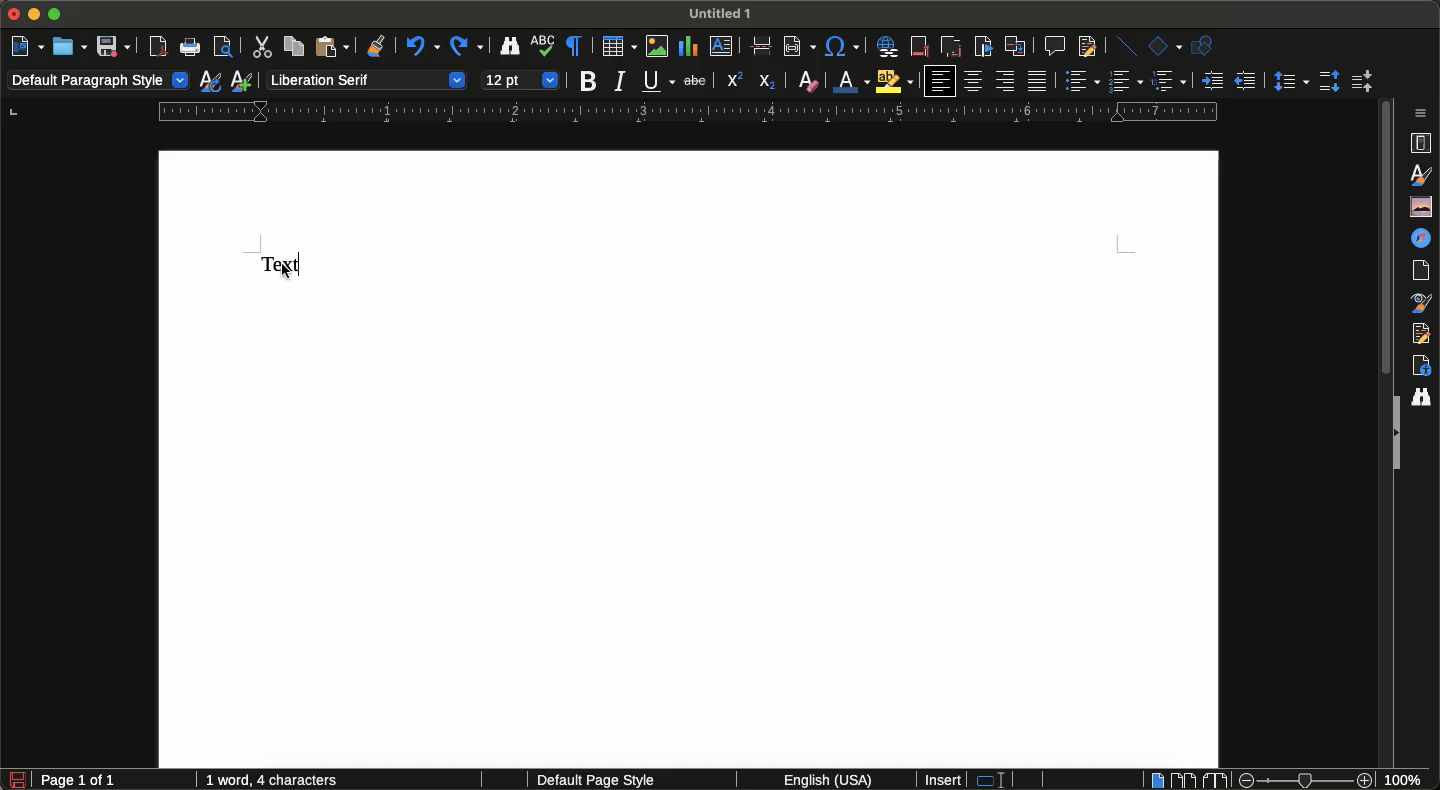 The height and width of the screenshot is (790, 1440). I want to click on Italics, so click(620, 82).